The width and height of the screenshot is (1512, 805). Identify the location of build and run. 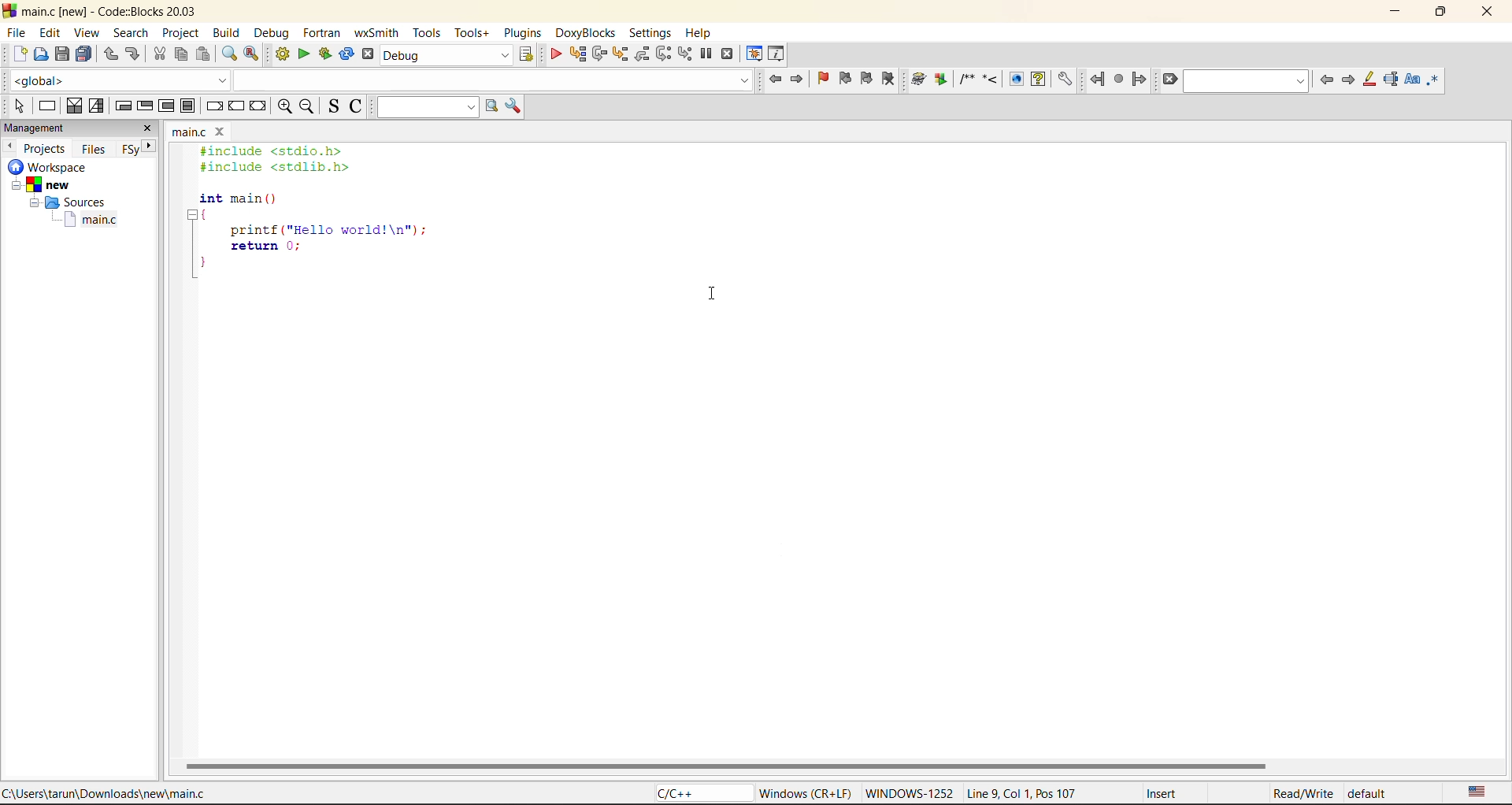
(324, 55).